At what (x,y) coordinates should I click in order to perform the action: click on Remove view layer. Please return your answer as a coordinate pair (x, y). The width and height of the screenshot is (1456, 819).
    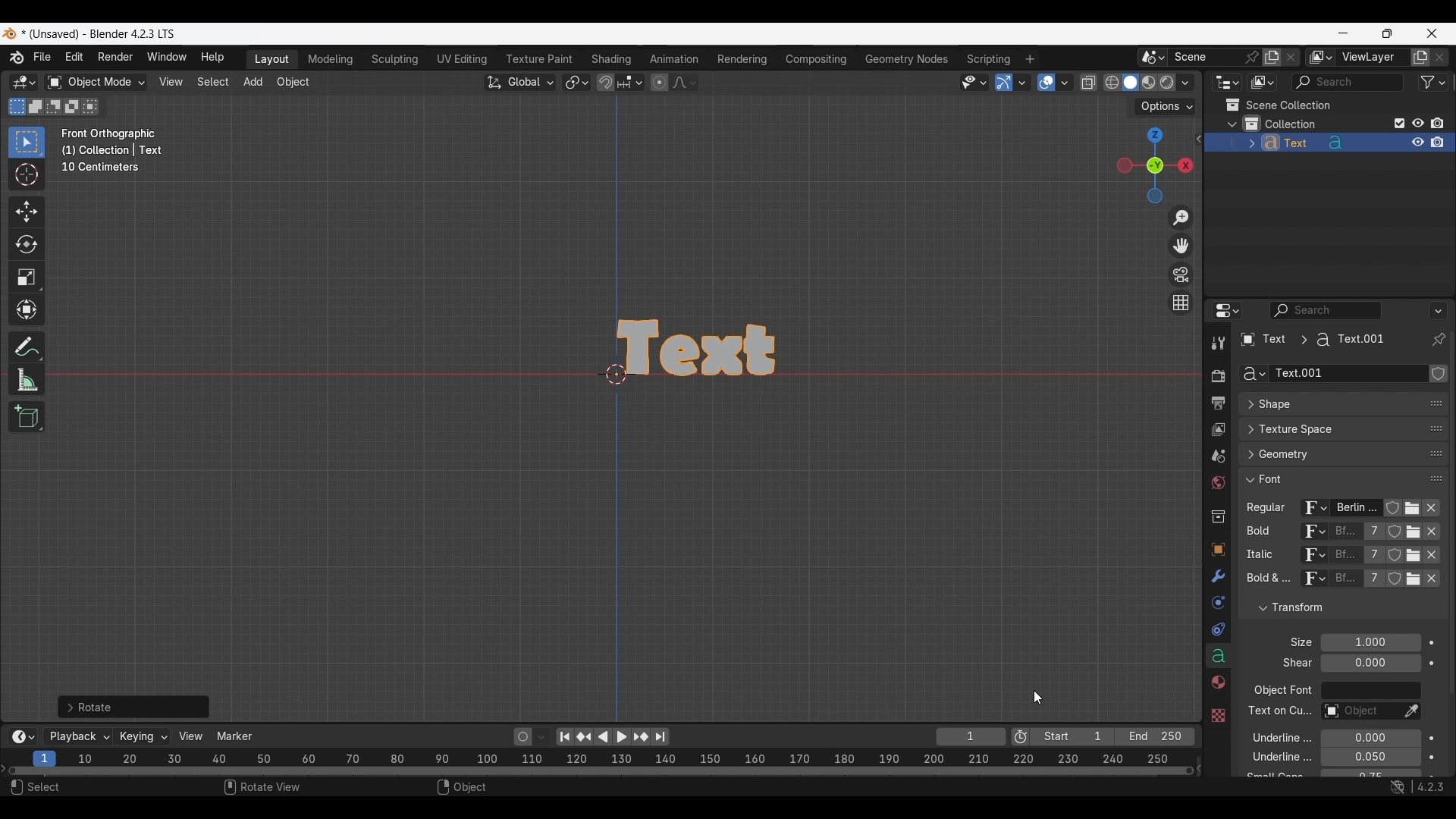
    Looking at the image, I should click on (1440, 57).